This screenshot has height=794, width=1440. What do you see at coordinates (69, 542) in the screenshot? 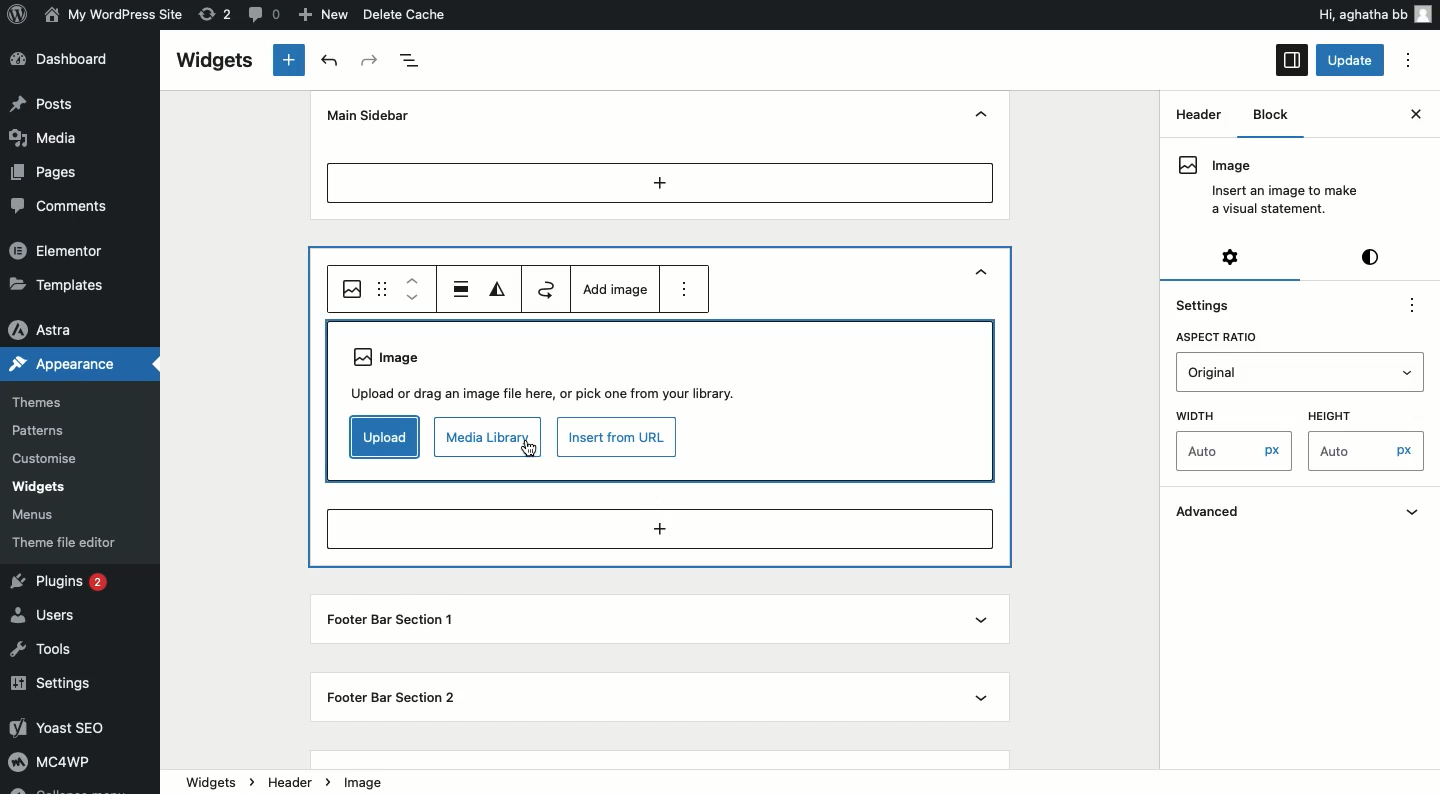
I see `Theme file editor` at bounding box center [69, 542].